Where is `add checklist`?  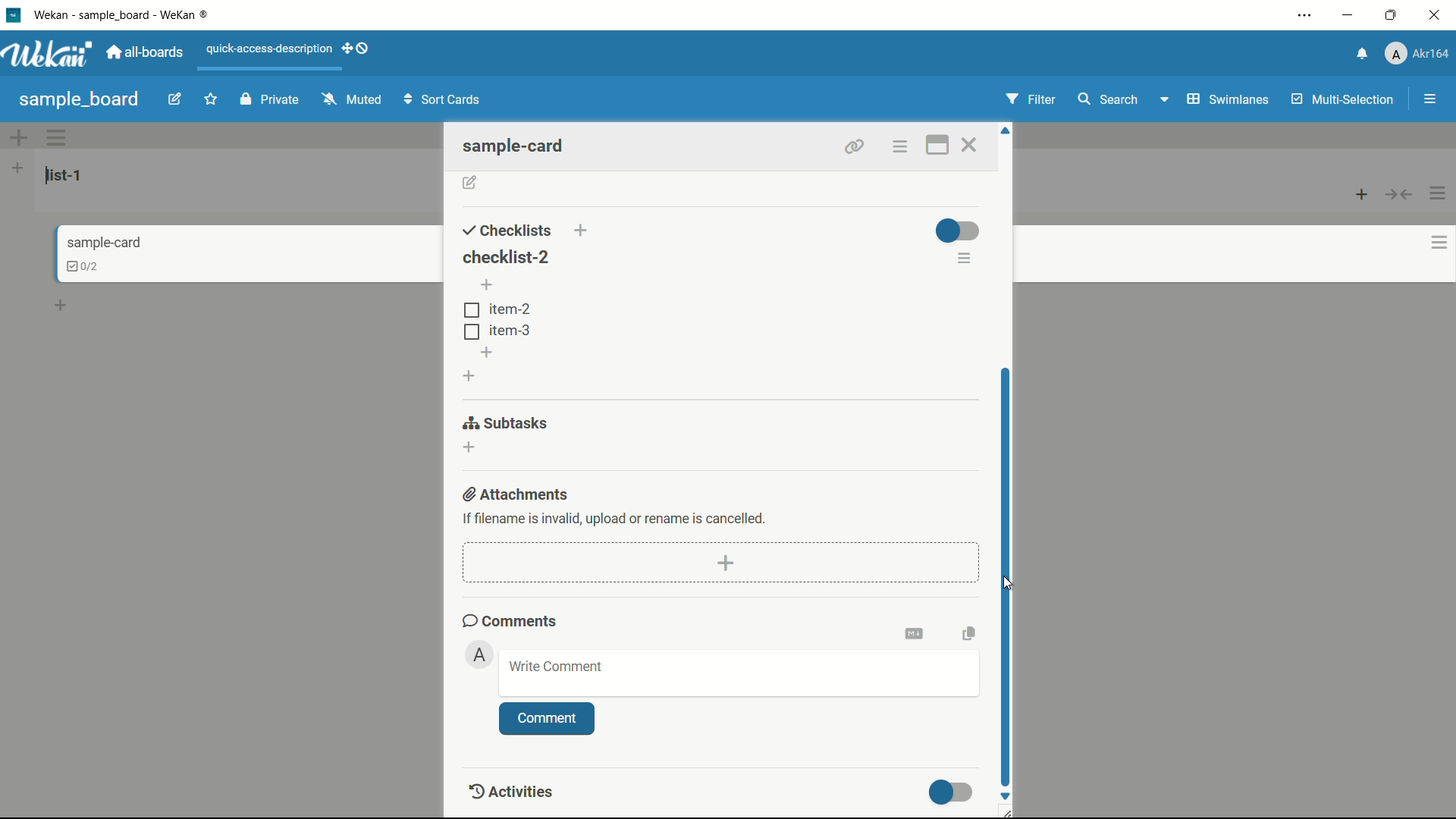
add checklist is located at coordinates (470, 376).